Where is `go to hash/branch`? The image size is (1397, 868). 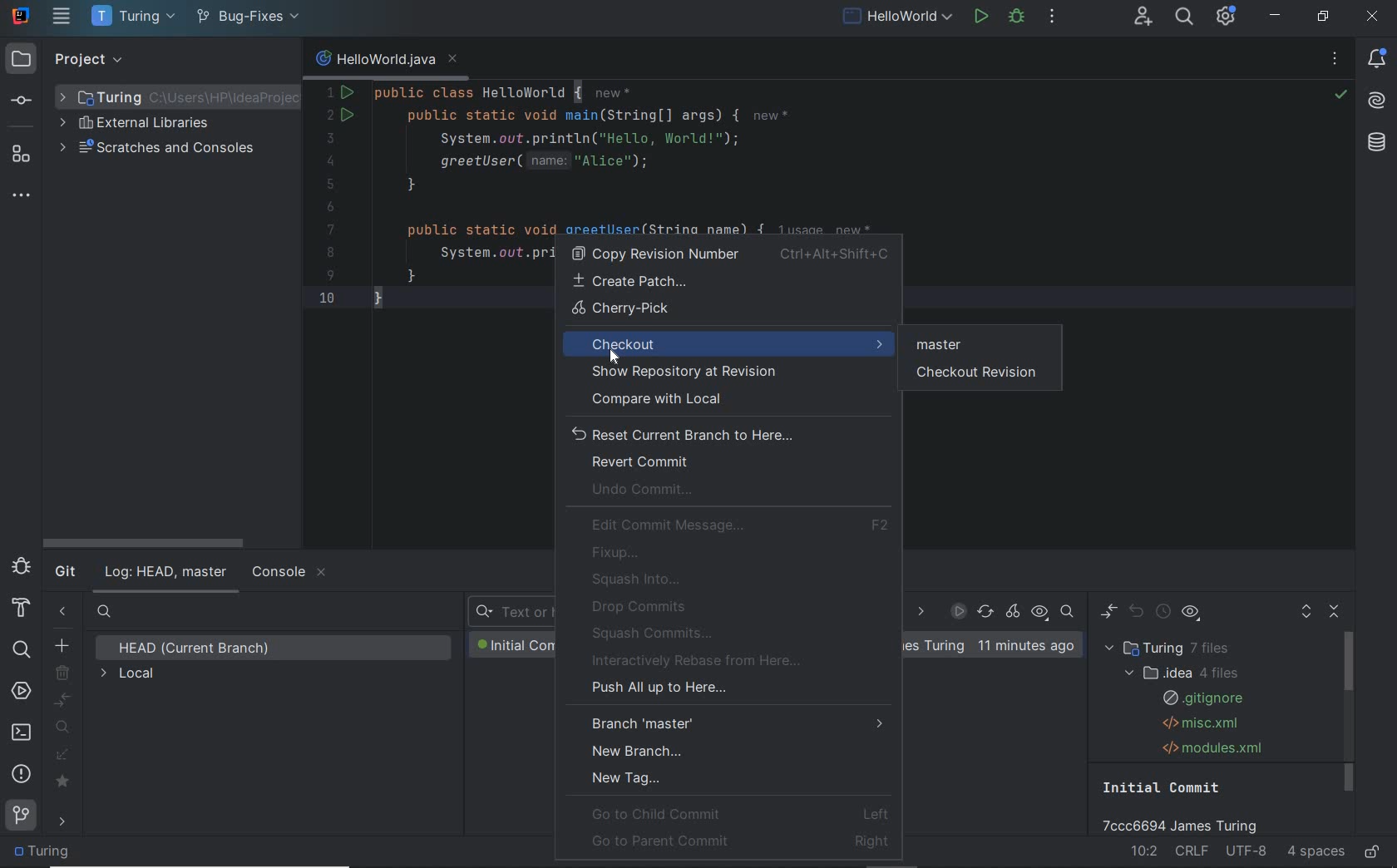 go to hash/branch is located at coordinates (1067, 612).